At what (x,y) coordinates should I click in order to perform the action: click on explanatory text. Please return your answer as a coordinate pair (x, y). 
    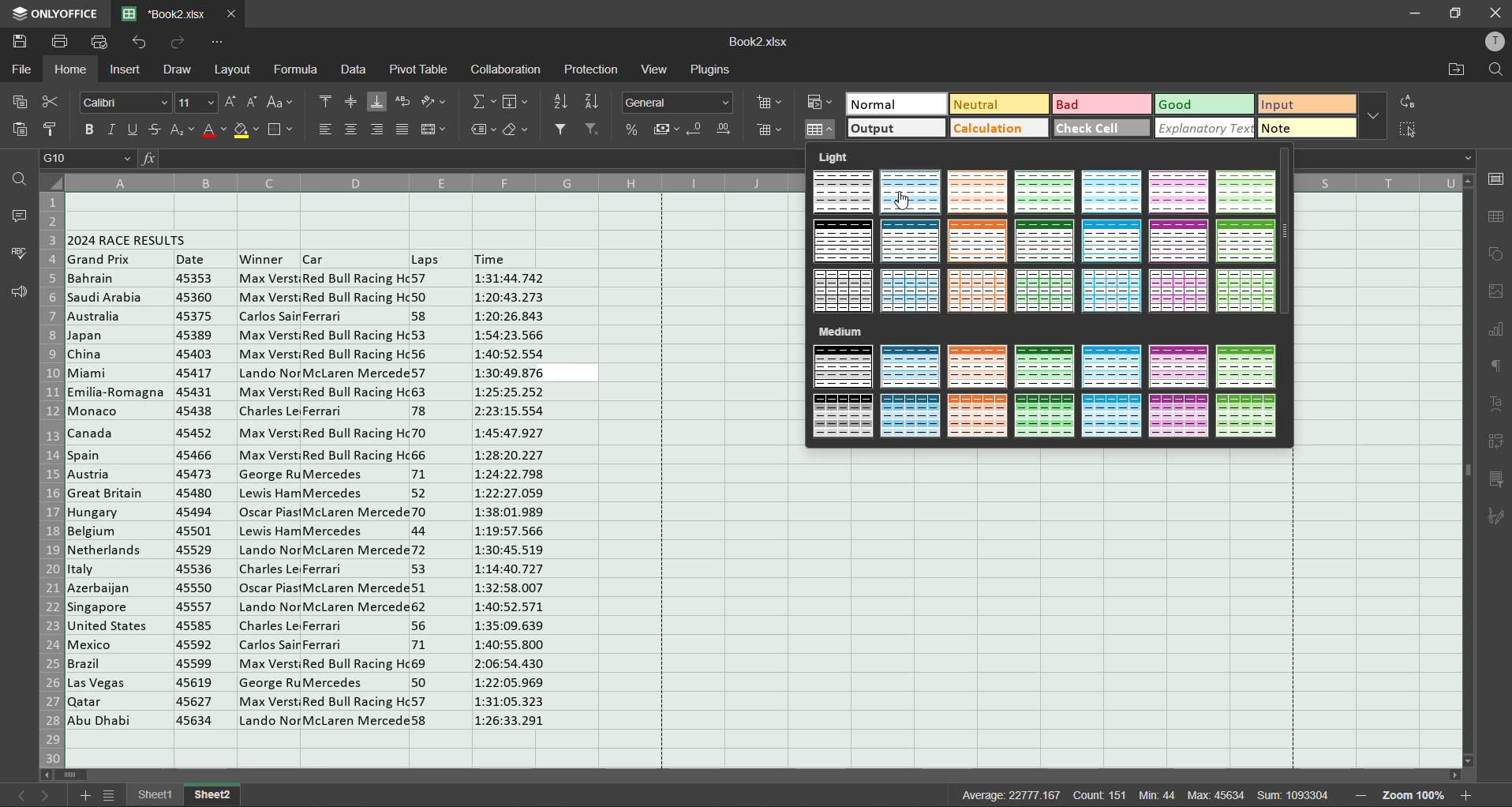
    Looking at the image, I should click on (1207, 128).